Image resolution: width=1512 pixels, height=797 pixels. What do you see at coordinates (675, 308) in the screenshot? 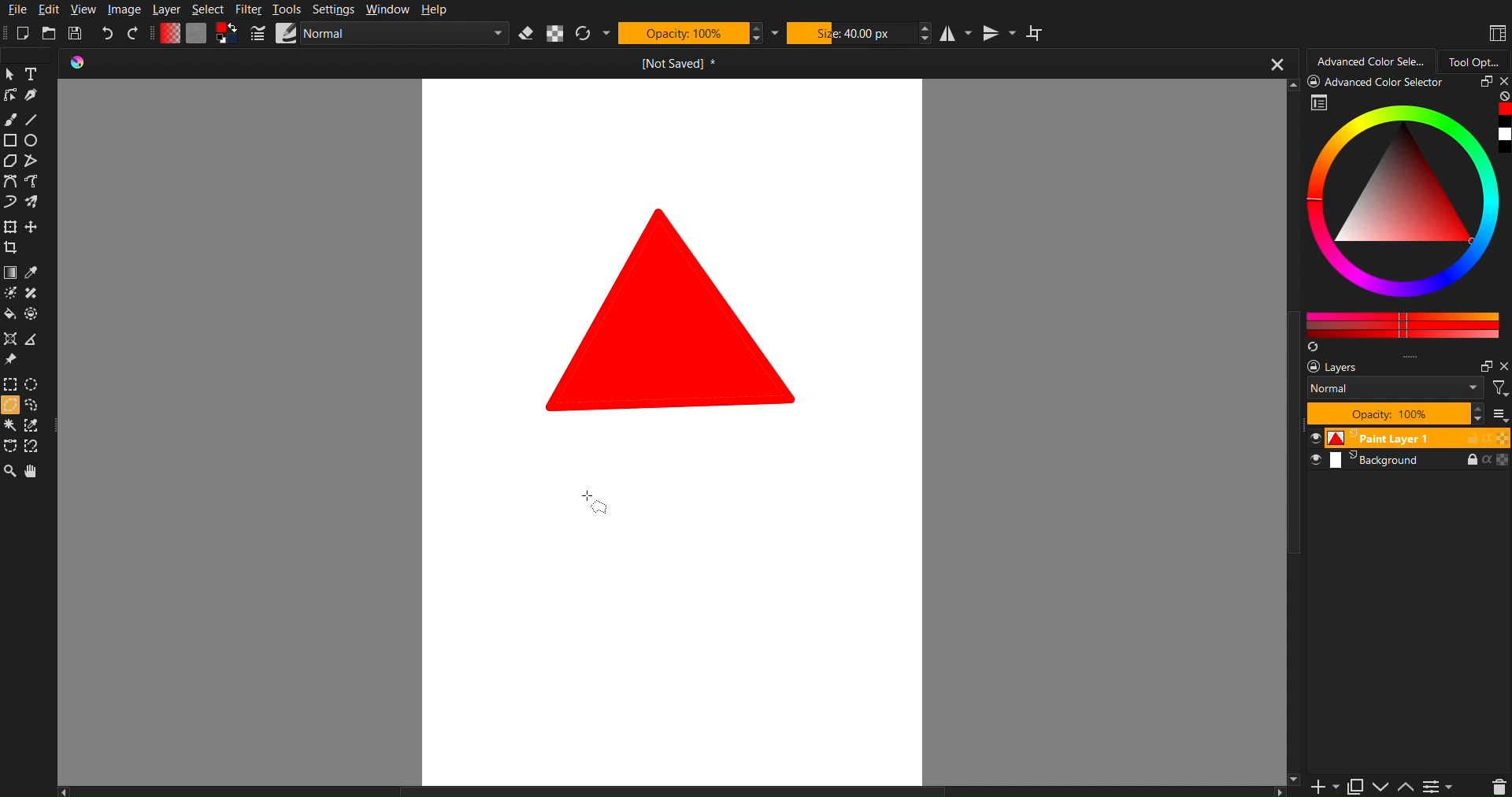
I see `Shape` at bounding box center [675, 308].